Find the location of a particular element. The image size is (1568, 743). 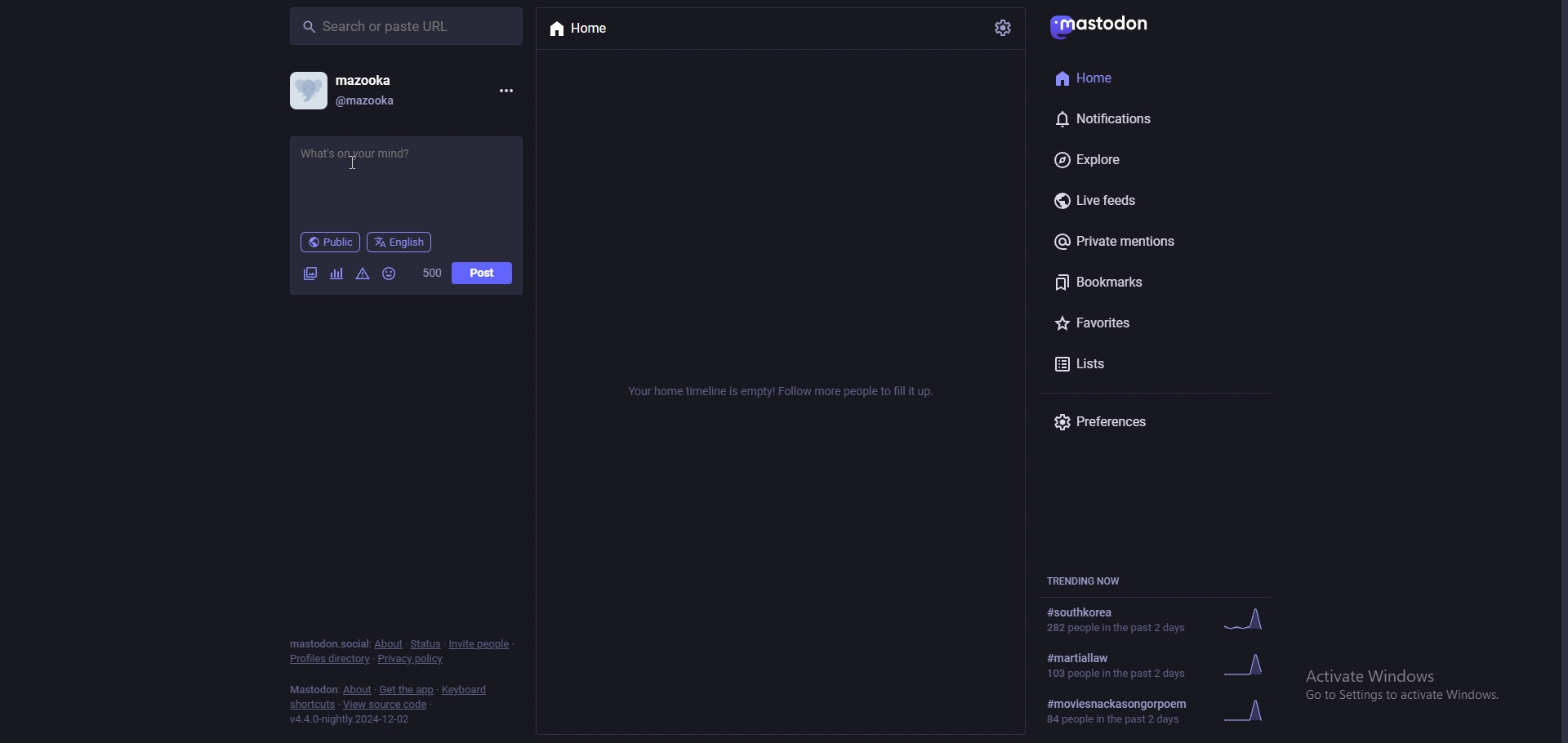

trending is located at coordinates (1160, 709).